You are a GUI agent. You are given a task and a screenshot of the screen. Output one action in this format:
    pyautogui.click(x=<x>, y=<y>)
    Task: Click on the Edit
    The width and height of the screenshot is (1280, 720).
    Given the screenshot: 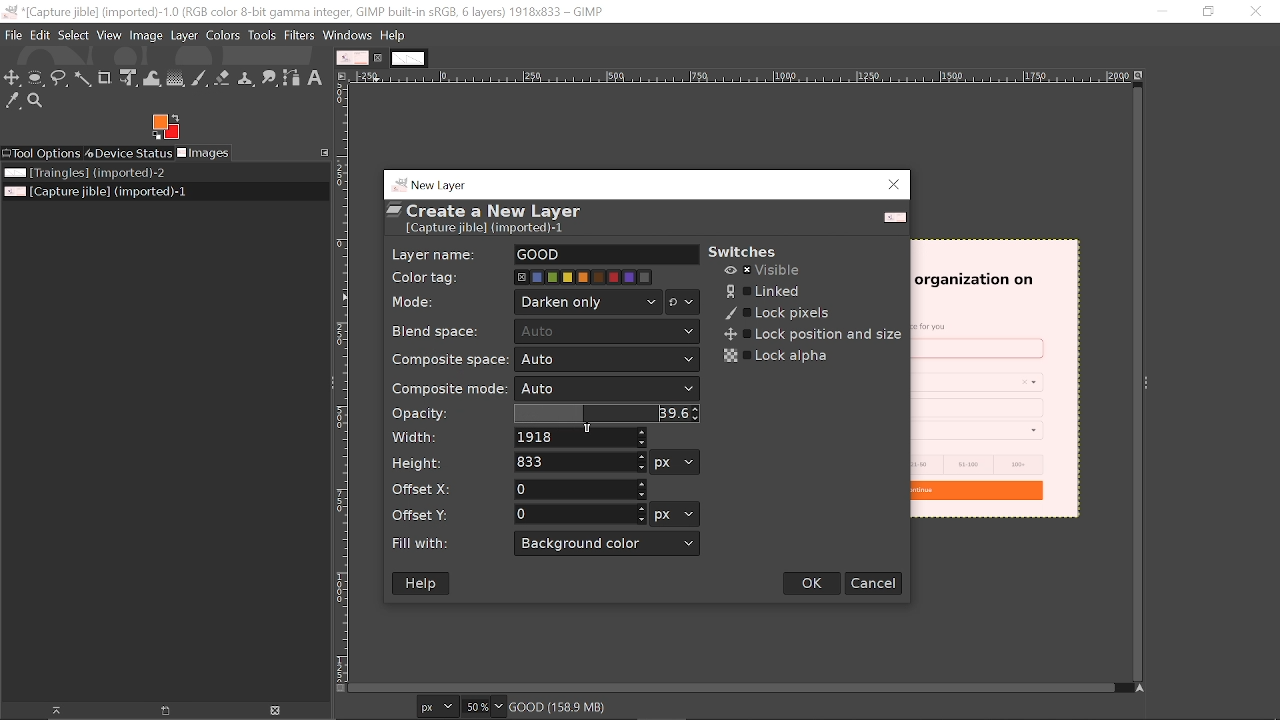 What is the action you would take?
    pyautogui.click(x=40, y=35)
    